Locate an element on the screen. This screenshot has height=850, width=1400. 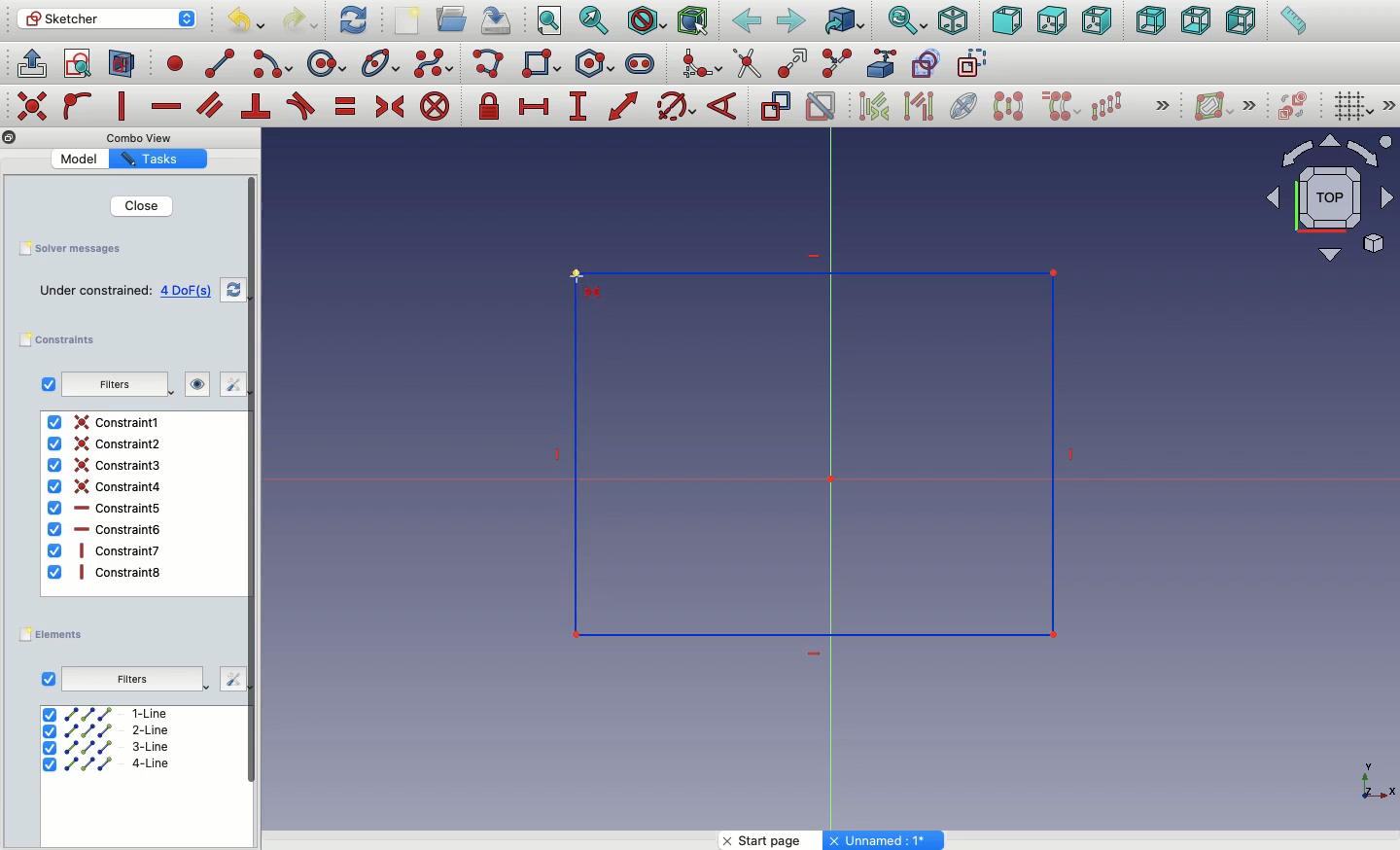
Rectangle is located at coordinates (874, 470).